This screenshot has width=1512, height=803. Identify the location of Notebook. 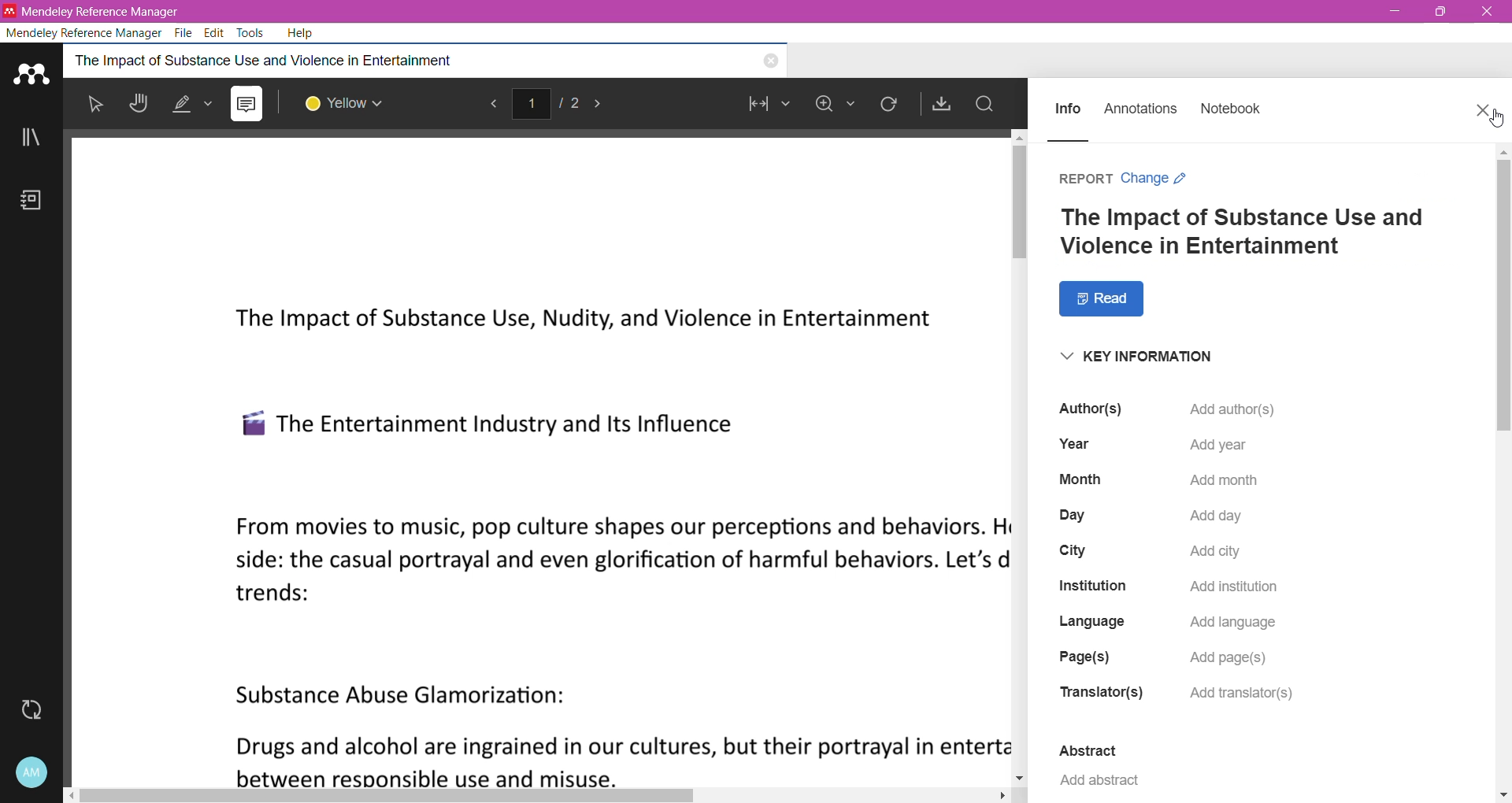
(1233, 106).